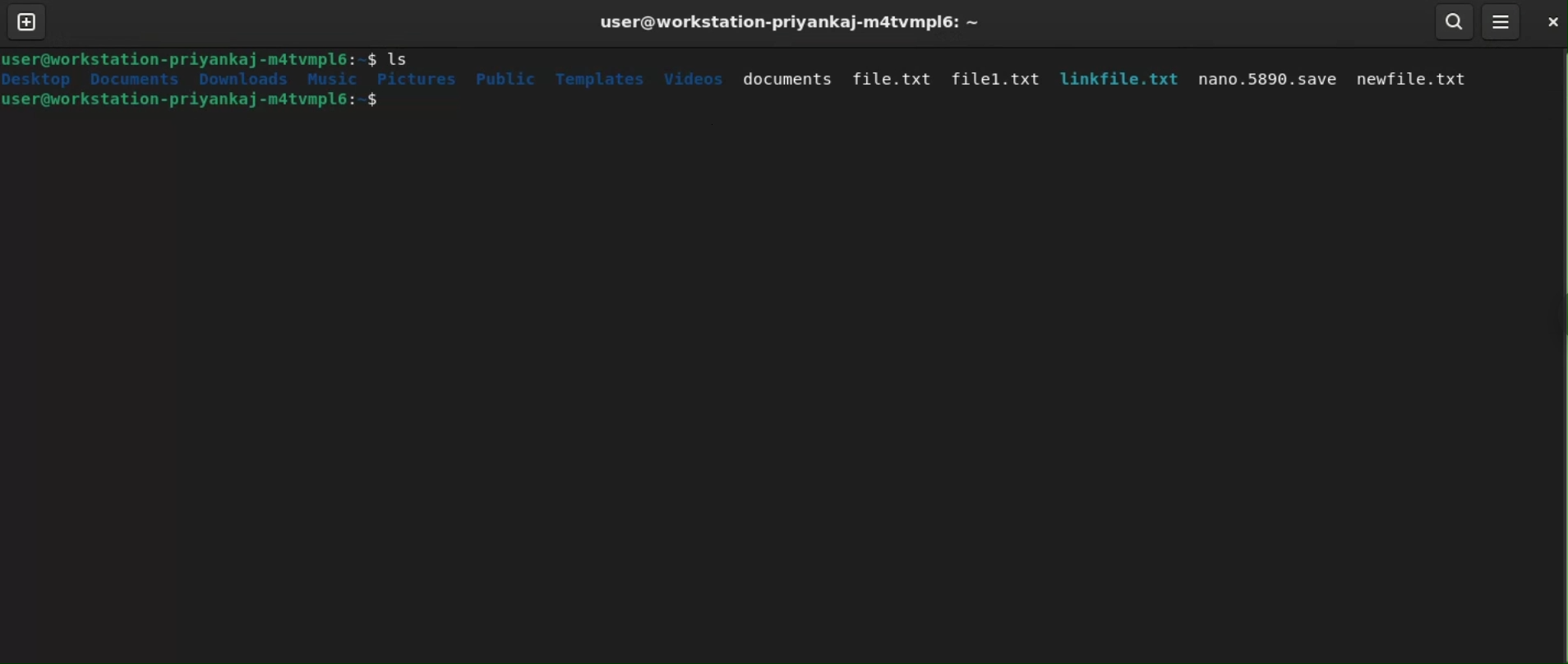 This screenshot has height=664, width=1568. Describe the element at coordinates (694, 77) in the screenshot. I see `videos` at that location.